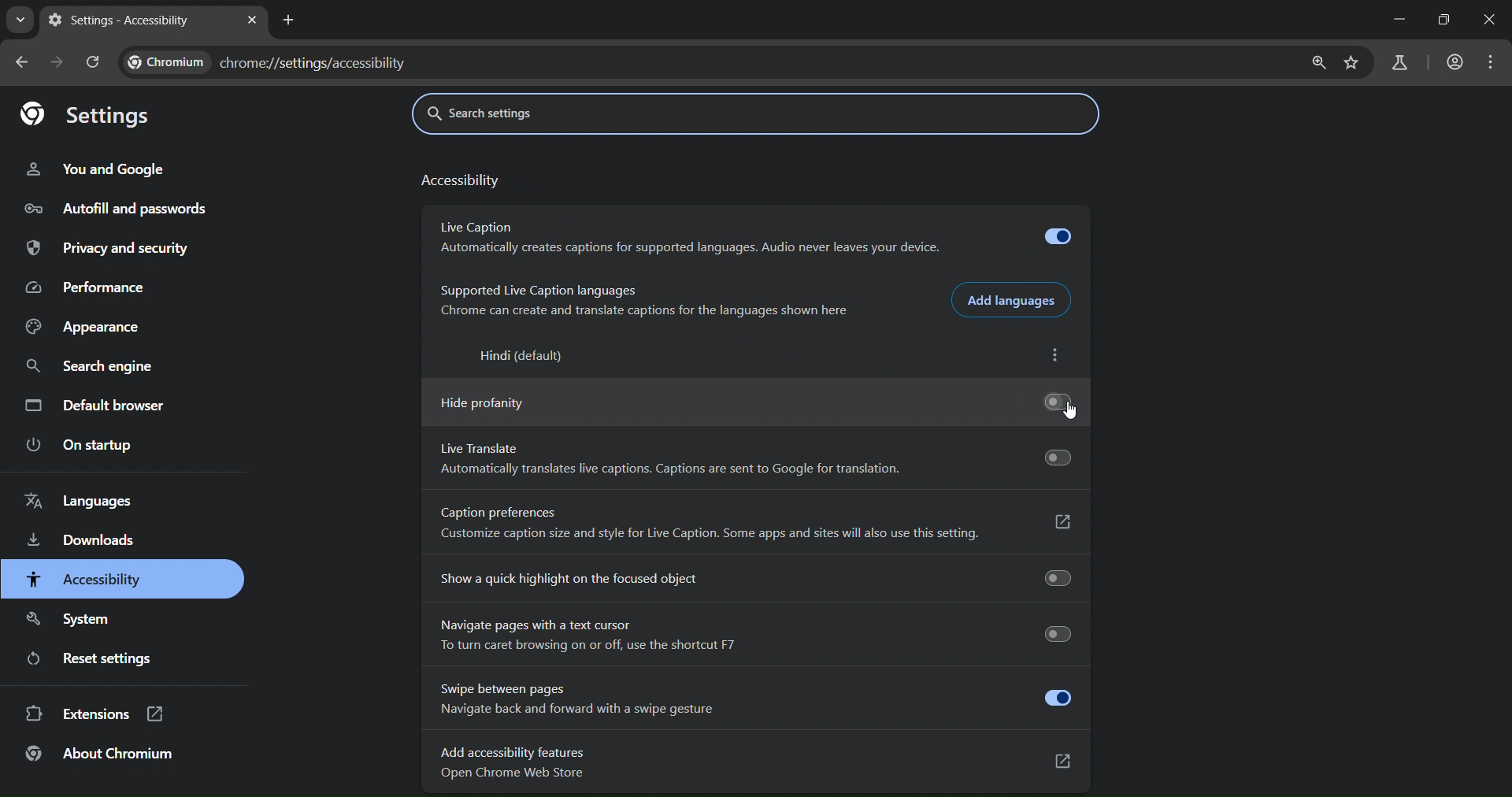  Describe the element at coordinates (163, 61) in the screenshot. I see `Chromium` at that location.